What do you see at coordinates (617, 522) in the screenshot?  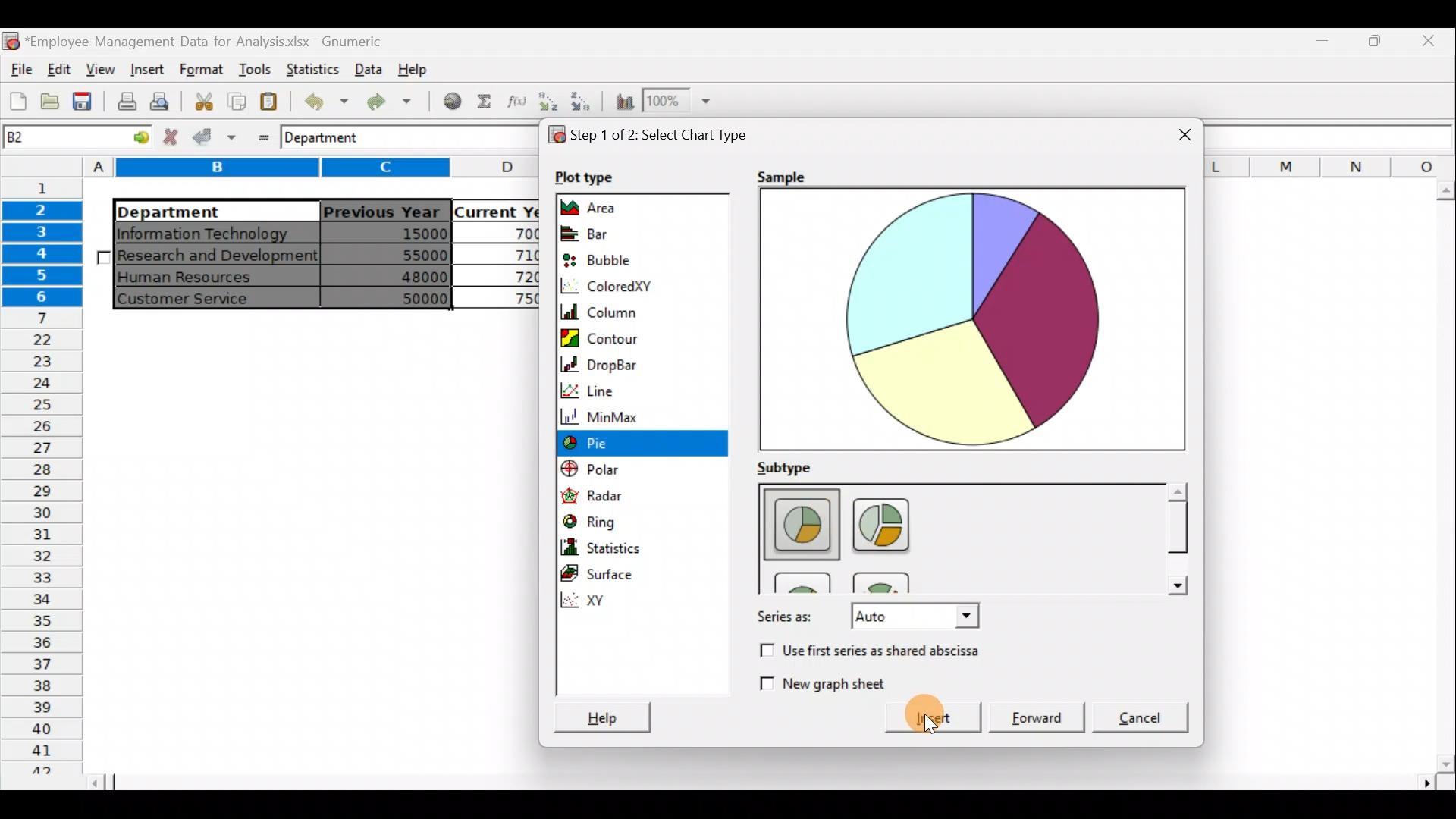 I see `Ring` at bounding box center [617, 522].